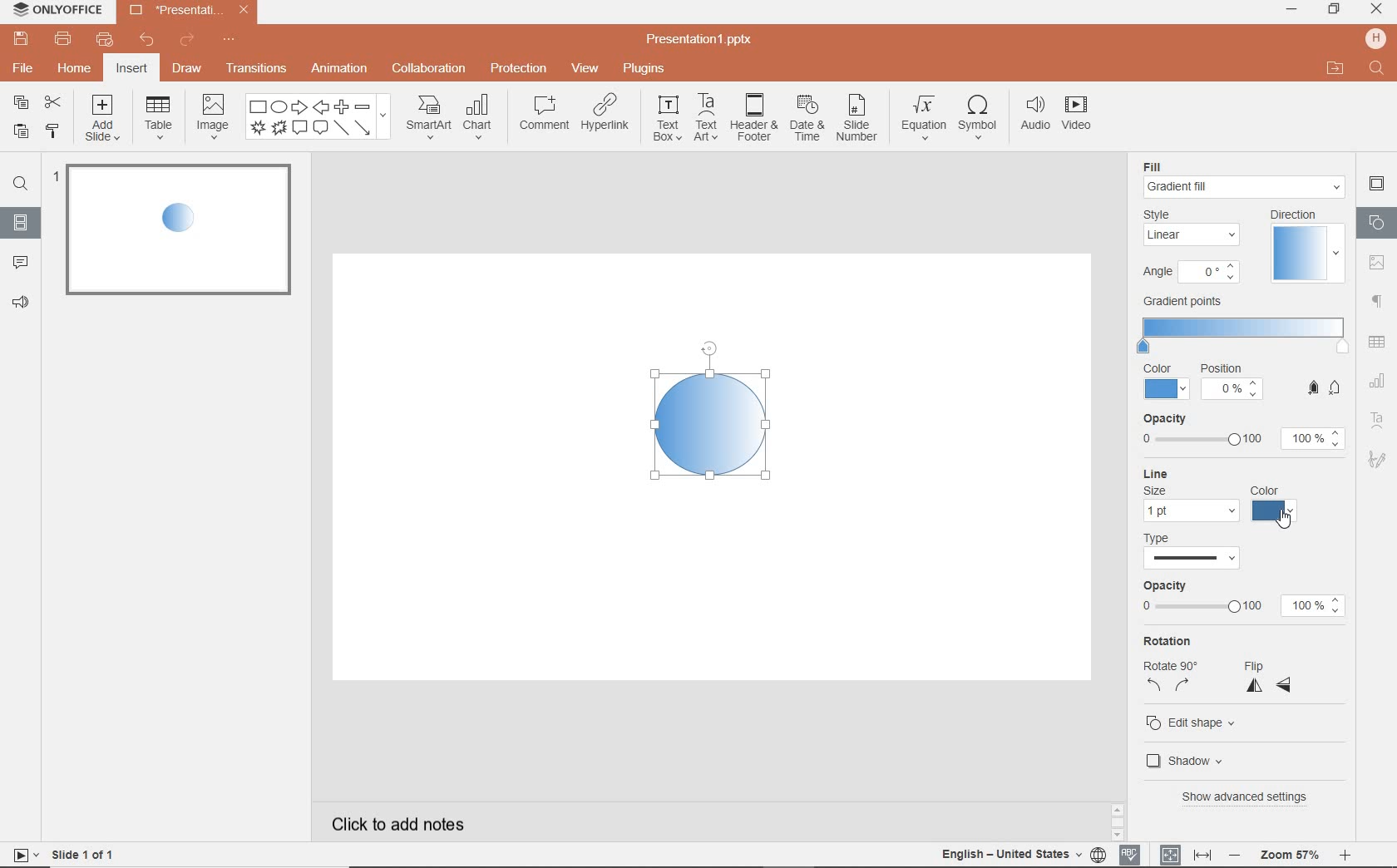 The width and height of the screenshot is (1397, 868). Describe the element at coordinates (1376, 458) in the screenshot. I see `signature` at that location.